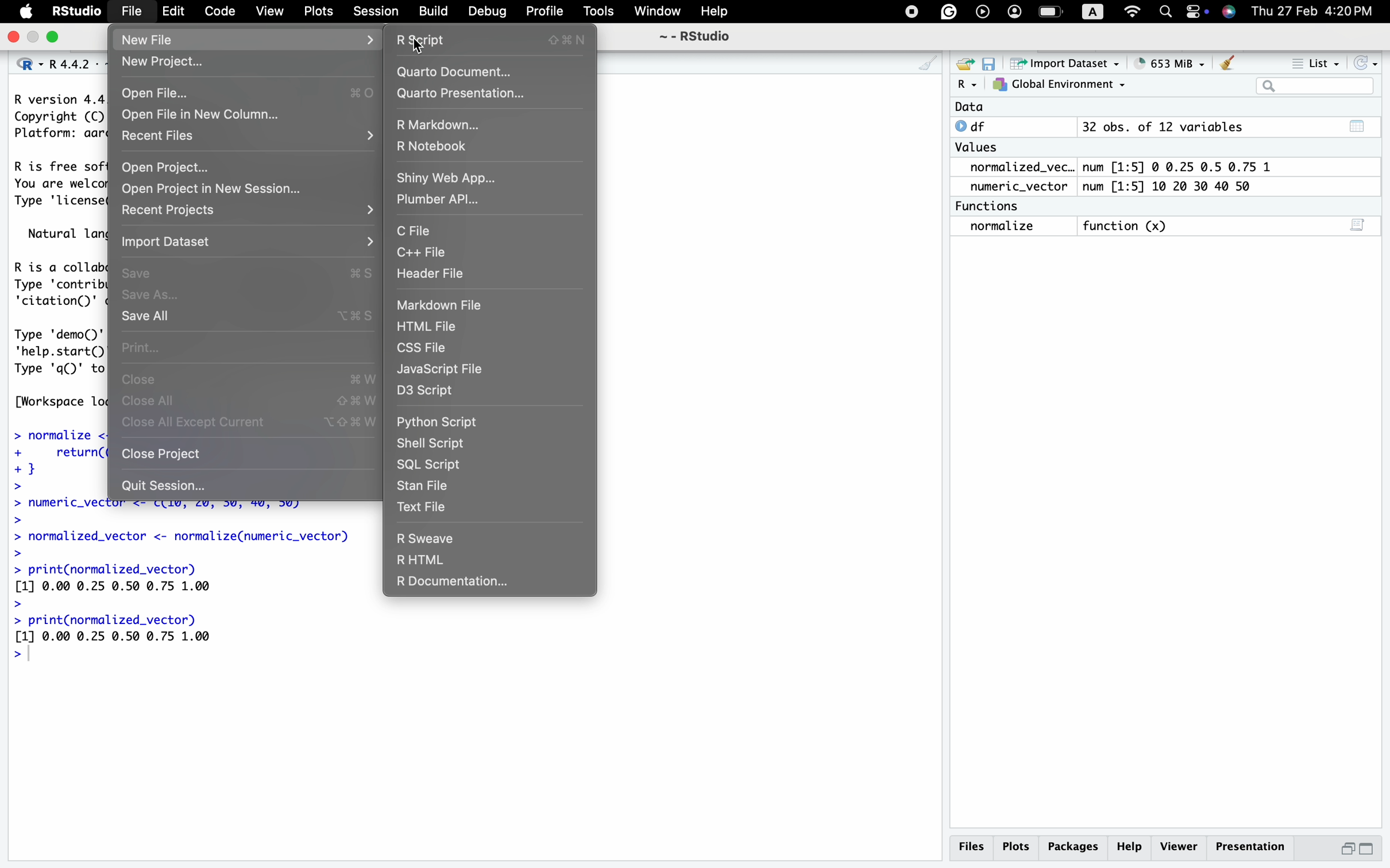 The image size is (1390, 868). I want to click on Save AS, so click(149, 296).